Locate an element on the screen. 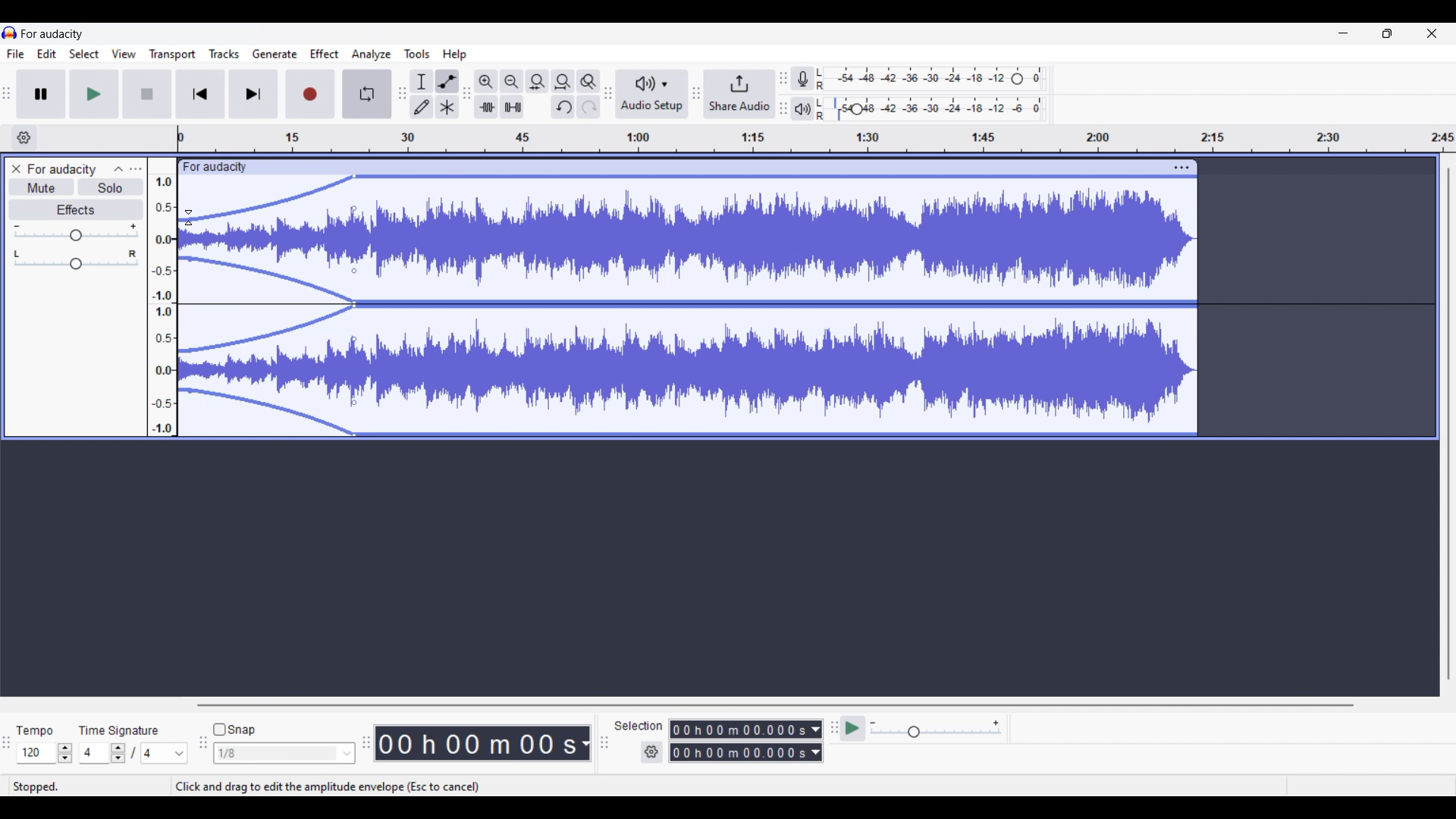 Image resolution: width=1456 pixels, height=819 pixels. Time signature settings is located at coordinates (134, 754).